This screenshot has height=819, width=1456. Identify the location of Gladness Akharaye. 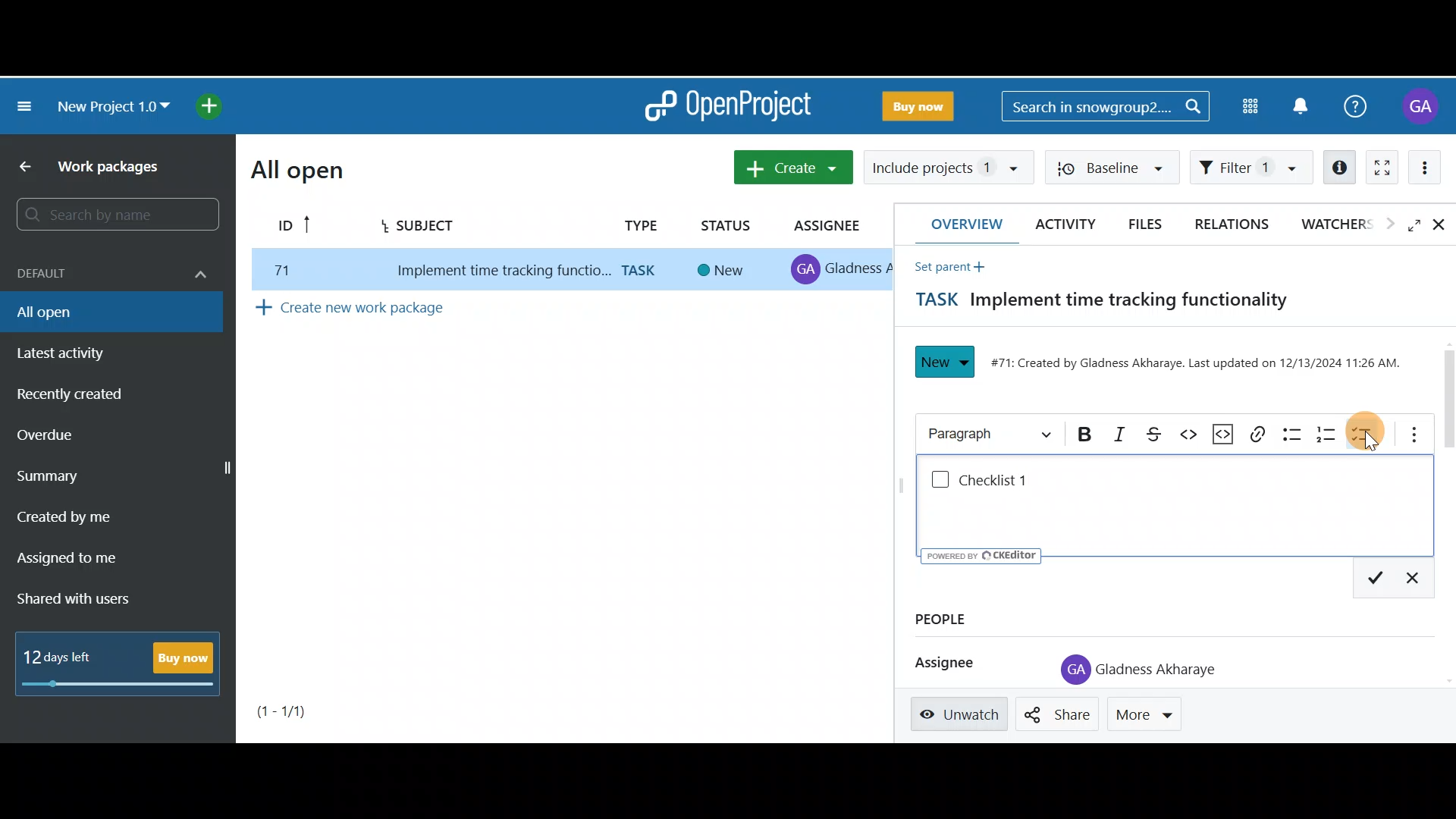
(1159, 670).